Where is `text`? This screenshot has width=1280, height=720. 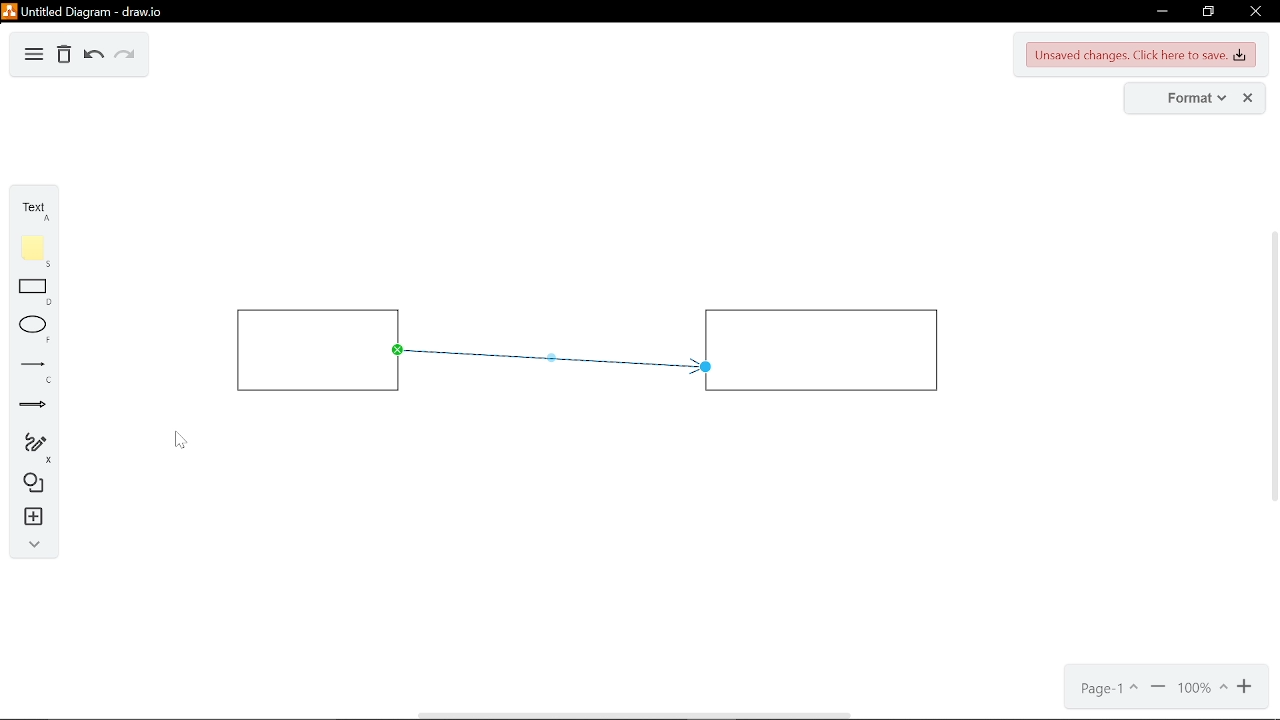
text is located at coordinates (28, 208).